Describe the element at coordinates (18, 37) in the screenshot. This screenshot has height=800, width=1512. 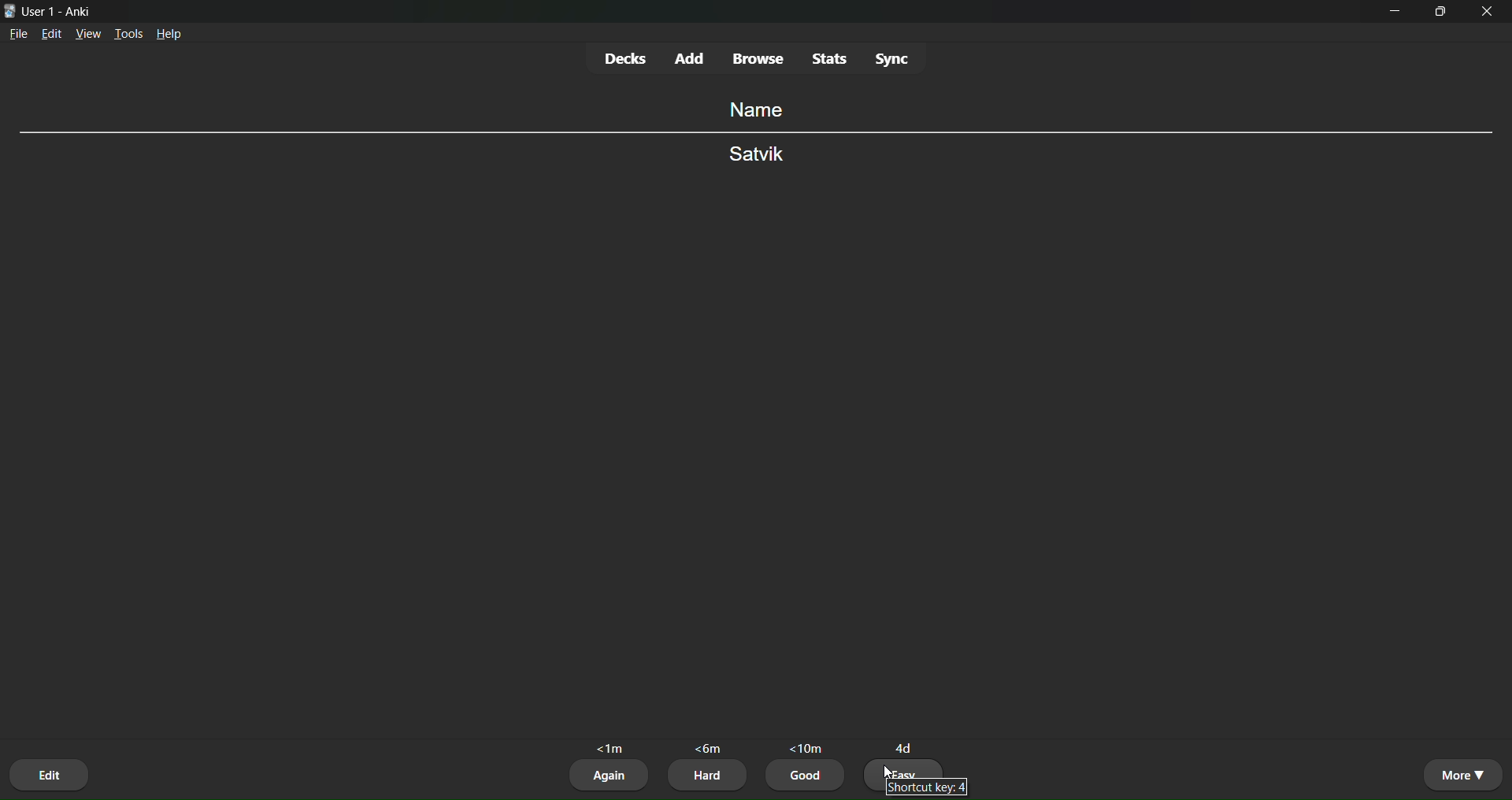
I see `file` at that location.